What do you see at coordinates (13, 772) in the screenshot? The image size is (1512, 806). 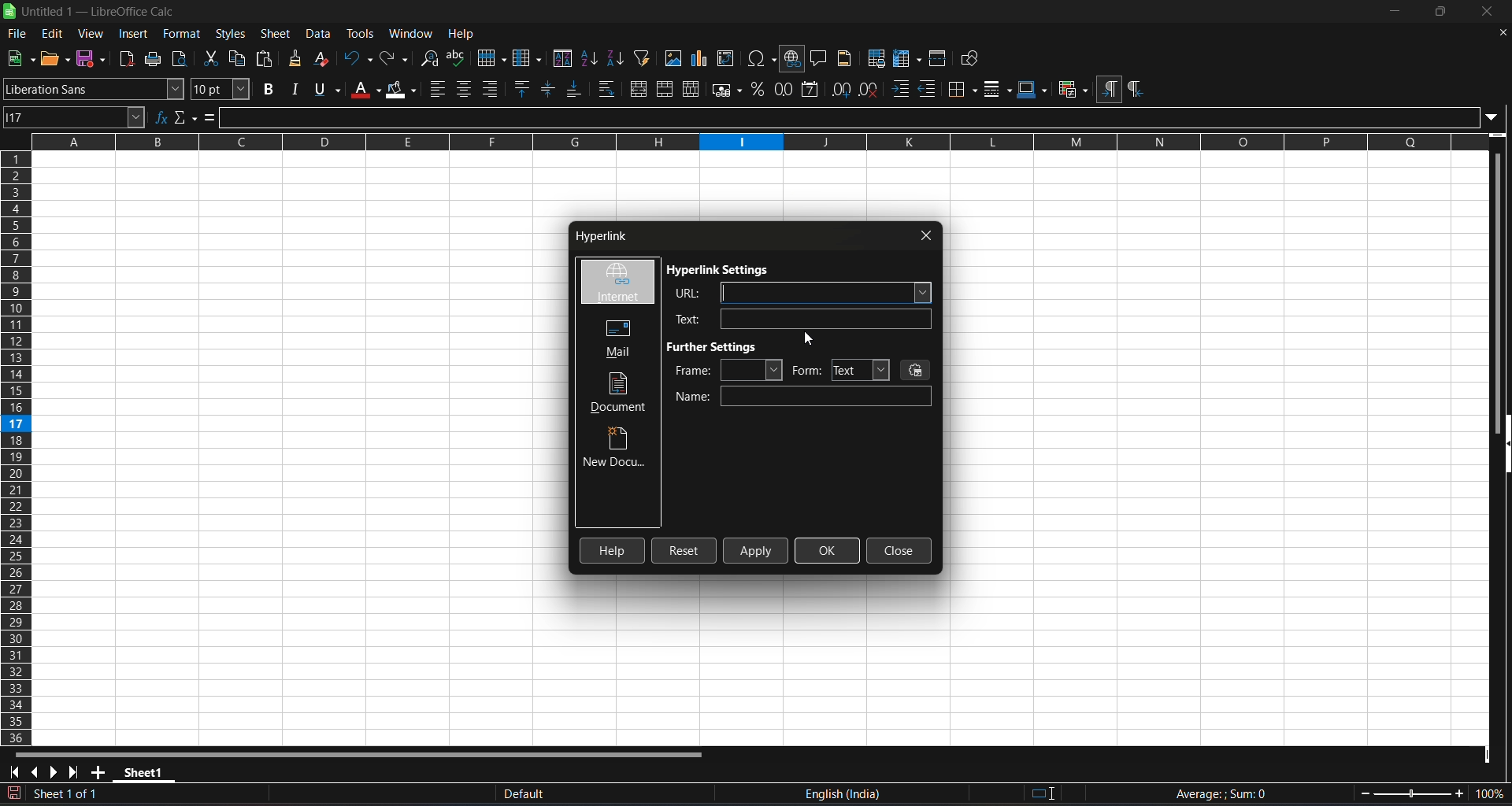 I see `scroll to first sheet` at bounding box center [13, 772].